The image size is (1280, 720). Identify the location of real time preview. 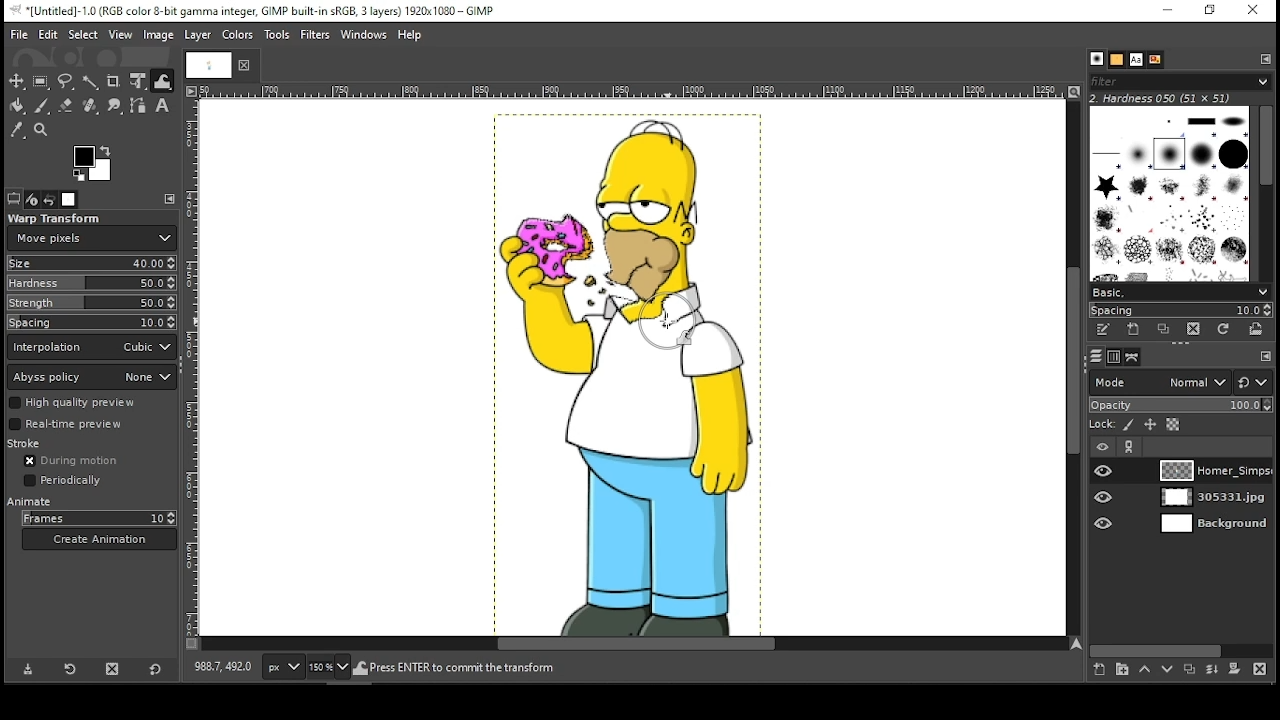
(91, 424).